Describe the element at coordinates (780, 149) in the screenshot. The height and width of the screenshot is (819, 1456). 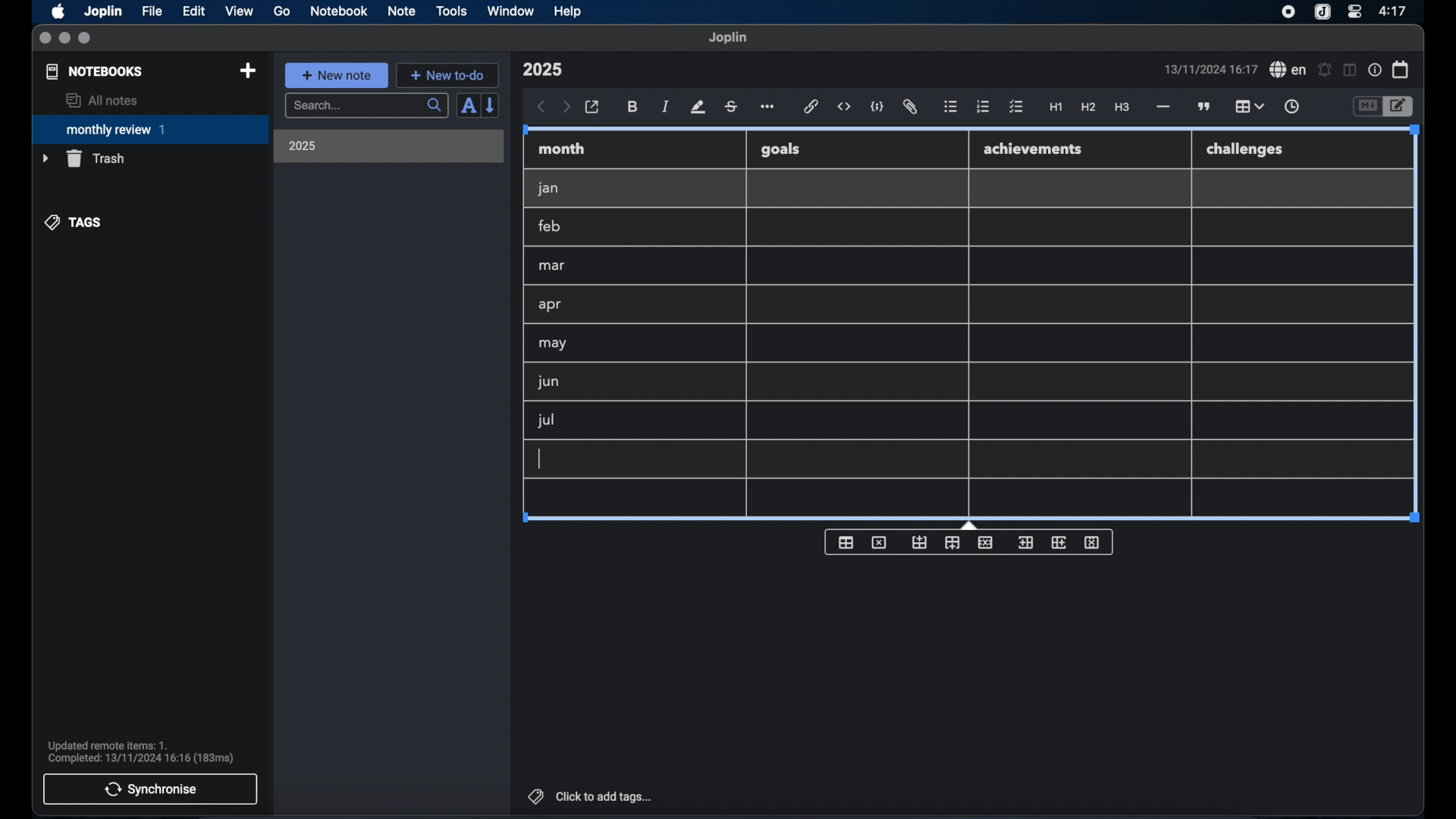
I see `goals` at that location.